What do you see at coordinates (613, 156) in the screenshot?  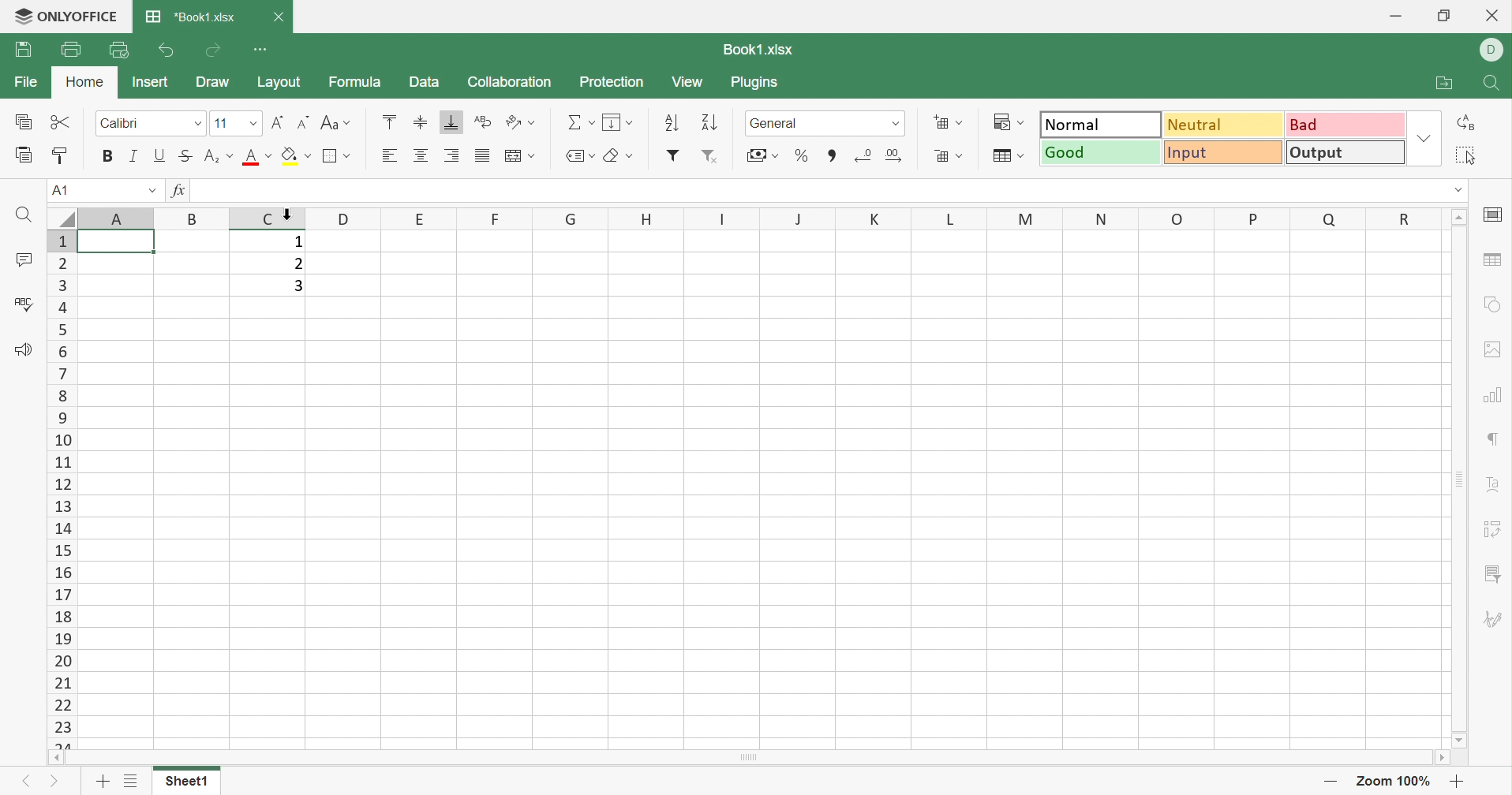 I see `Clear` at bounding box center [613, 156].